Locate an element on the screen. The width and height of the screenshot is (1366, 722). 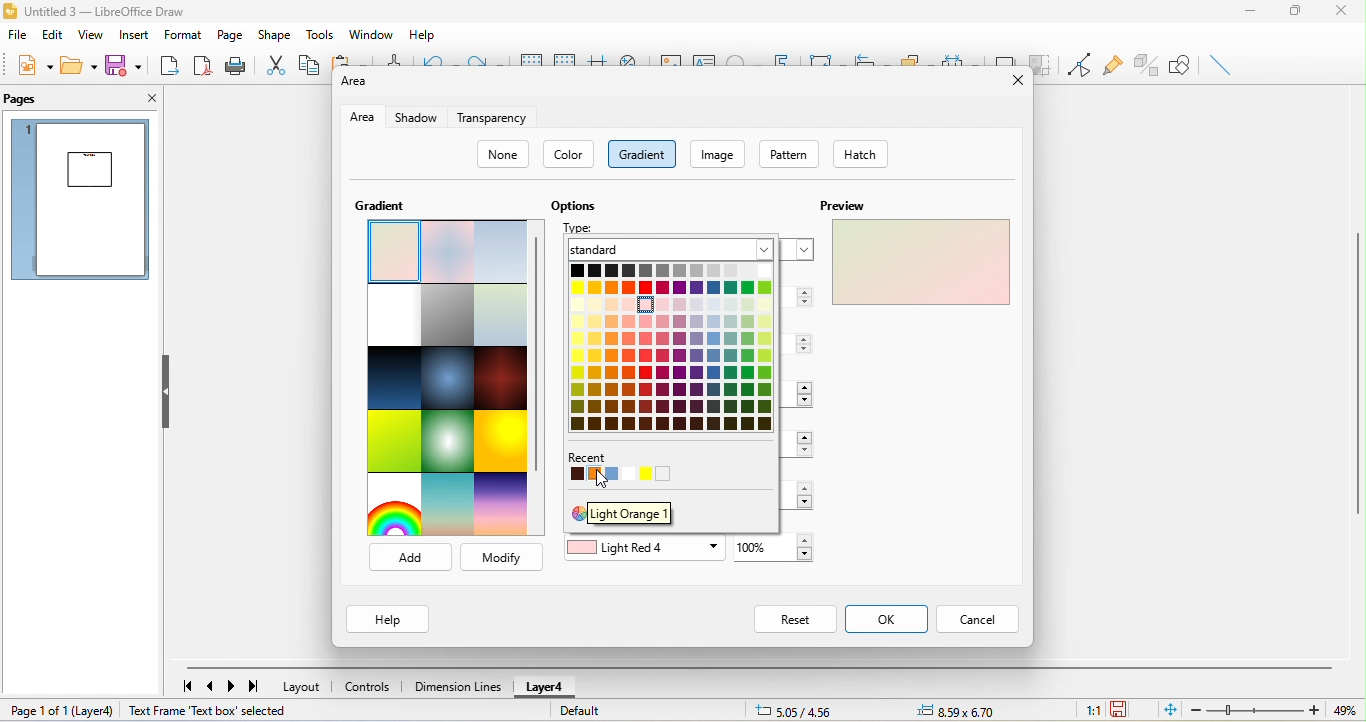
green grass is located at coordinates (392, 443).